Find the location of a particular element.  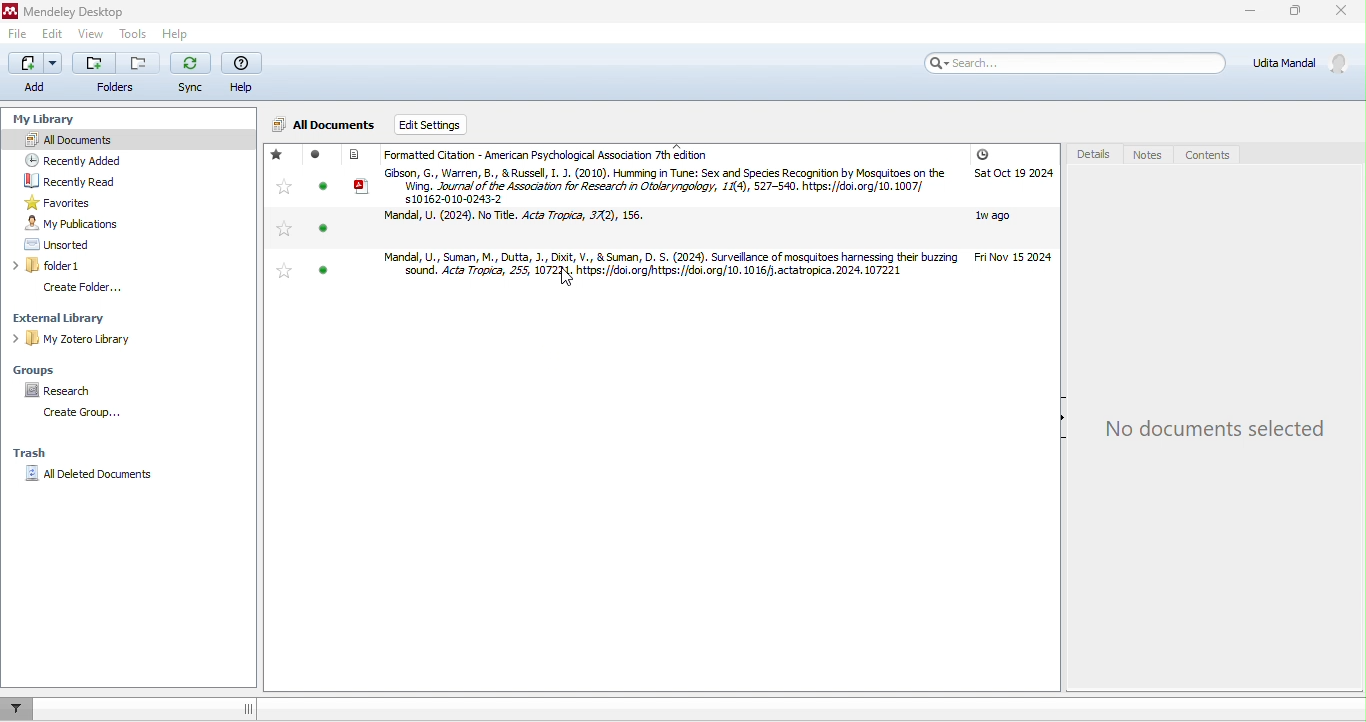

add is located at coordinates (35, 72).